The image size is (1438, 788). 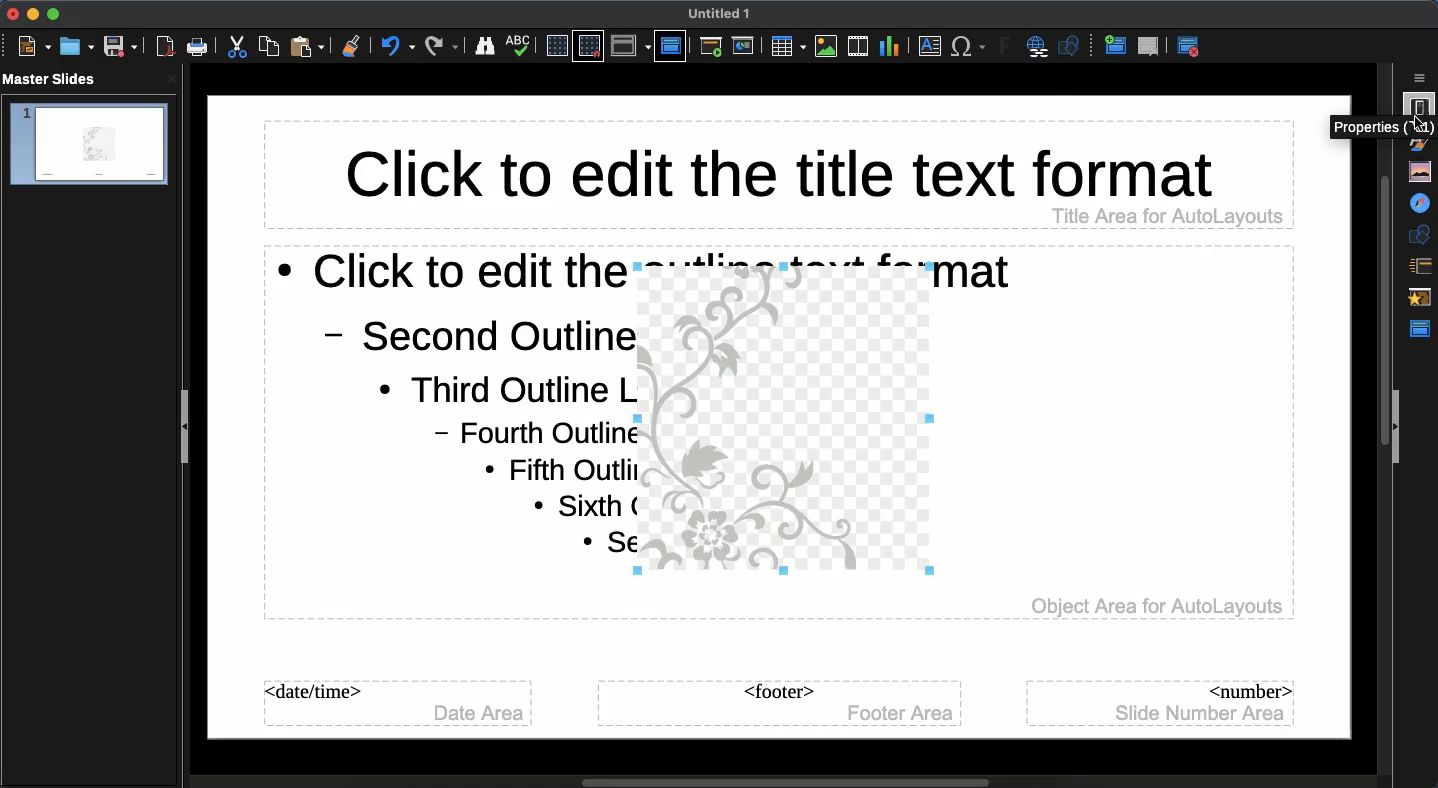 I want to click on Collapse, so click(x=1398, y=428).